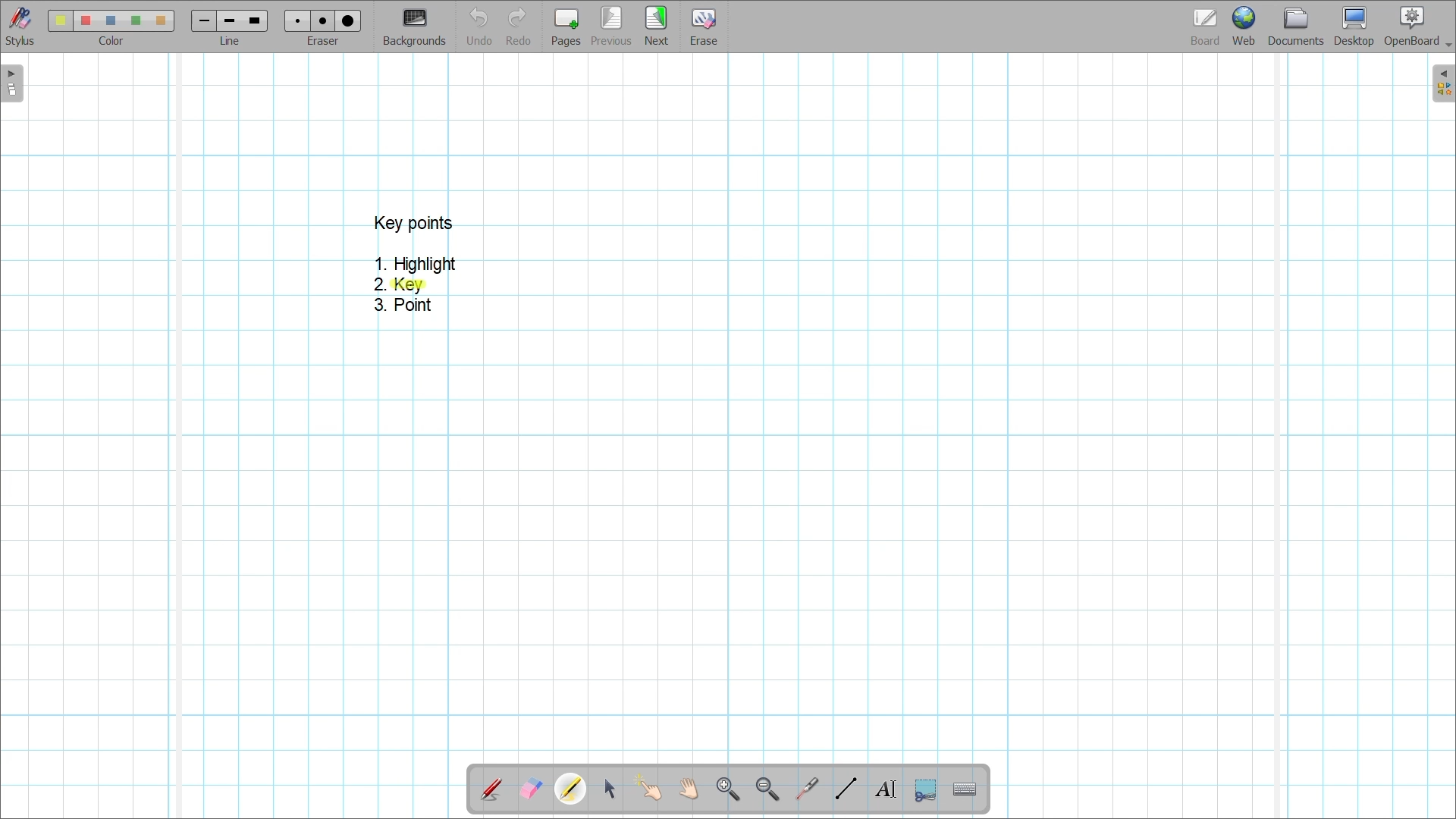 The width and height of the screenshot is (1456, 819). I want to click on eraser 3, so click(349, 20).